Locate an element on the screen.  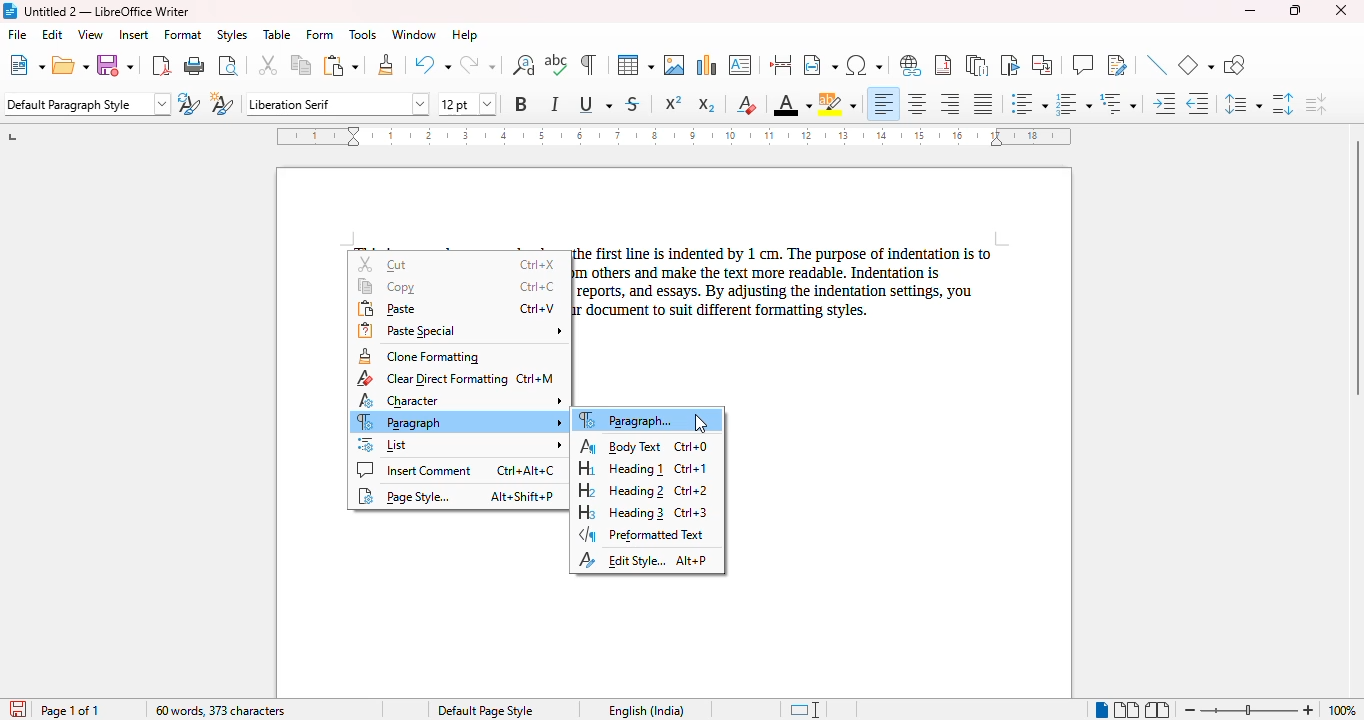
insert field is located at coordinates (819, 65).